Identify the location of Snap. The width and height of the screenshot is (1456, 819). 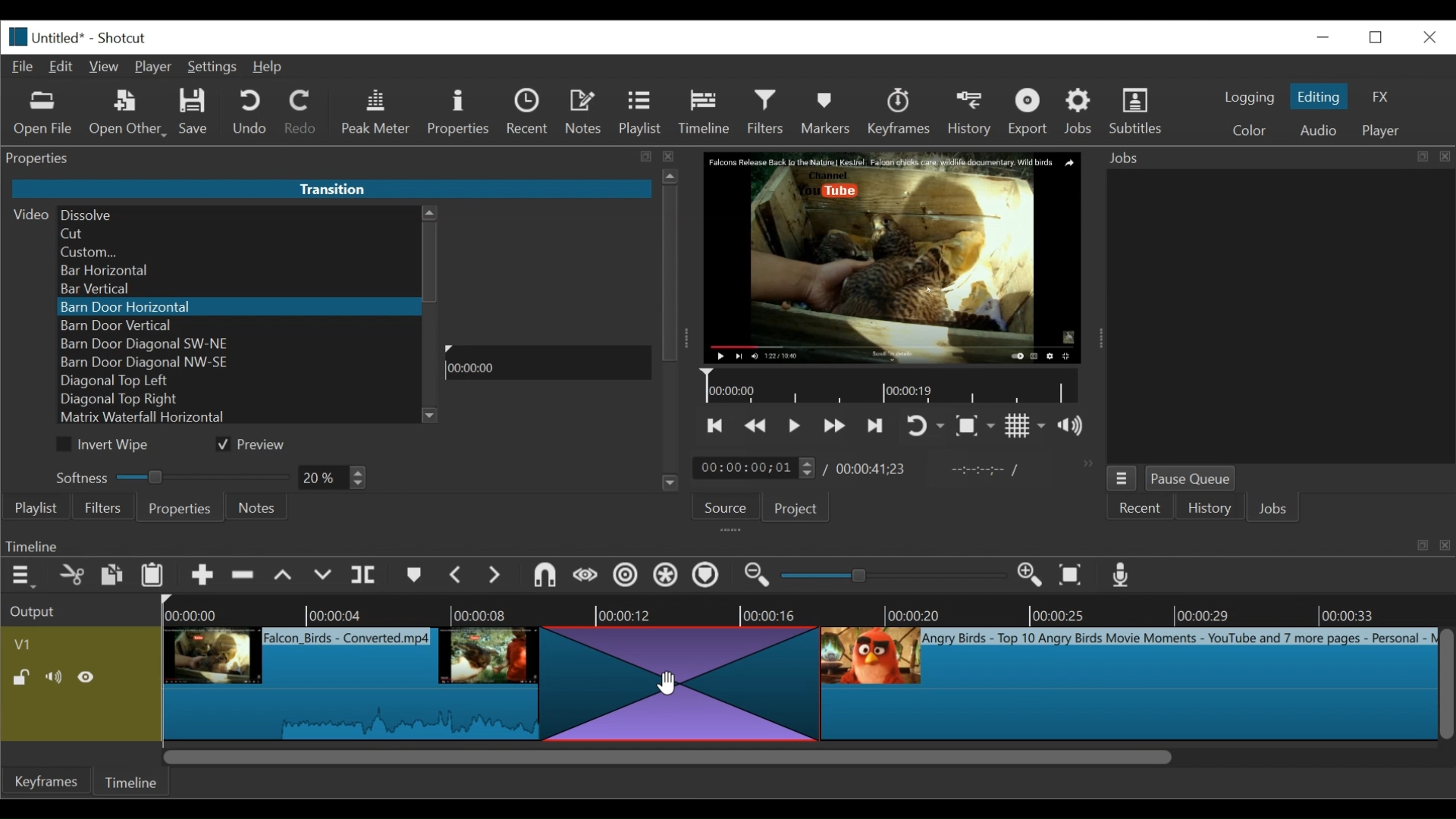
(545, 576).